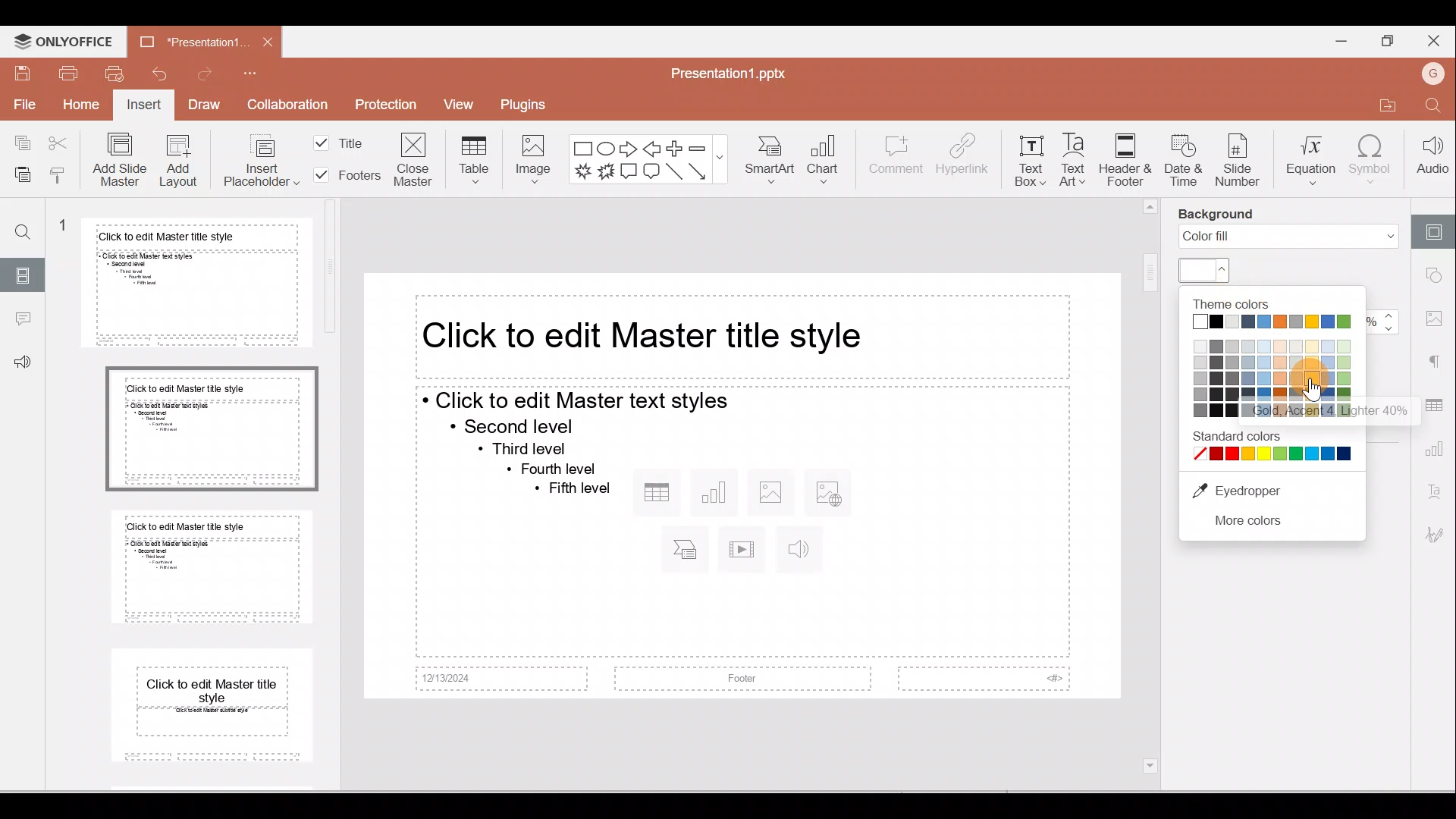 Image resolution: width=1456 pixels, height=819 pixels. I want to click on Text box, so click(1028, 165).